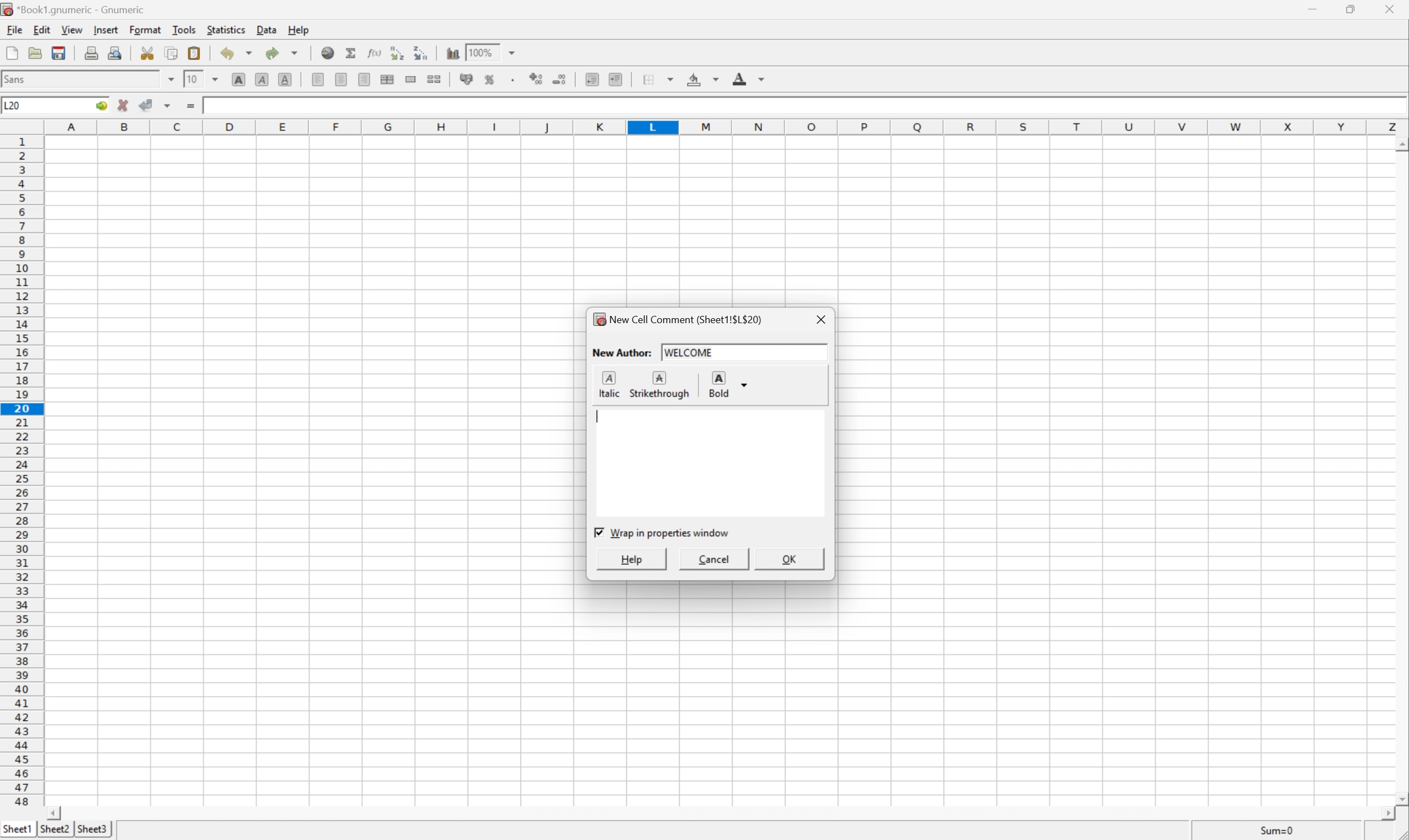 This screenshot has width=1409, height=840. Describe the element at coordinates (19, 829) in the screenshot. I see `Sheet1` at that location.